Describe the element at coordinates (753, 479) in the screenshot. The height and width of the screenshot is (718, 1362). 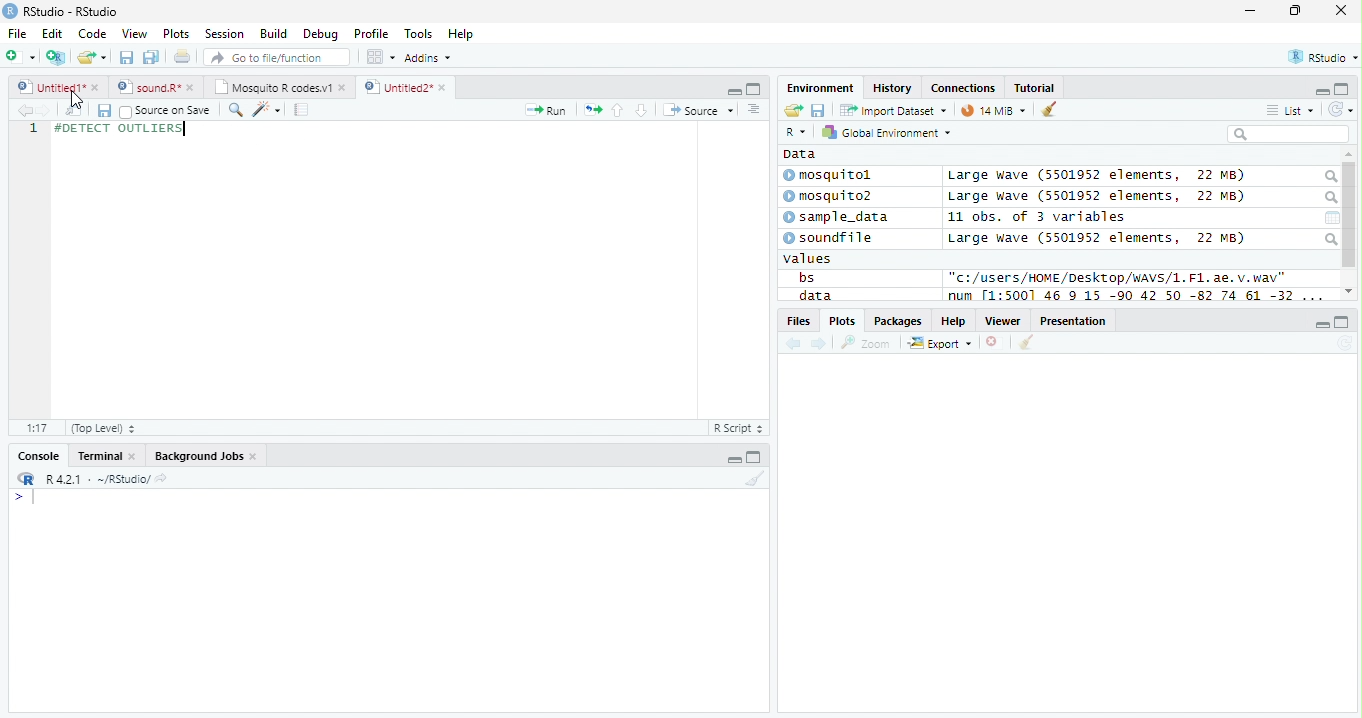
I see `clear workspace` at that location.